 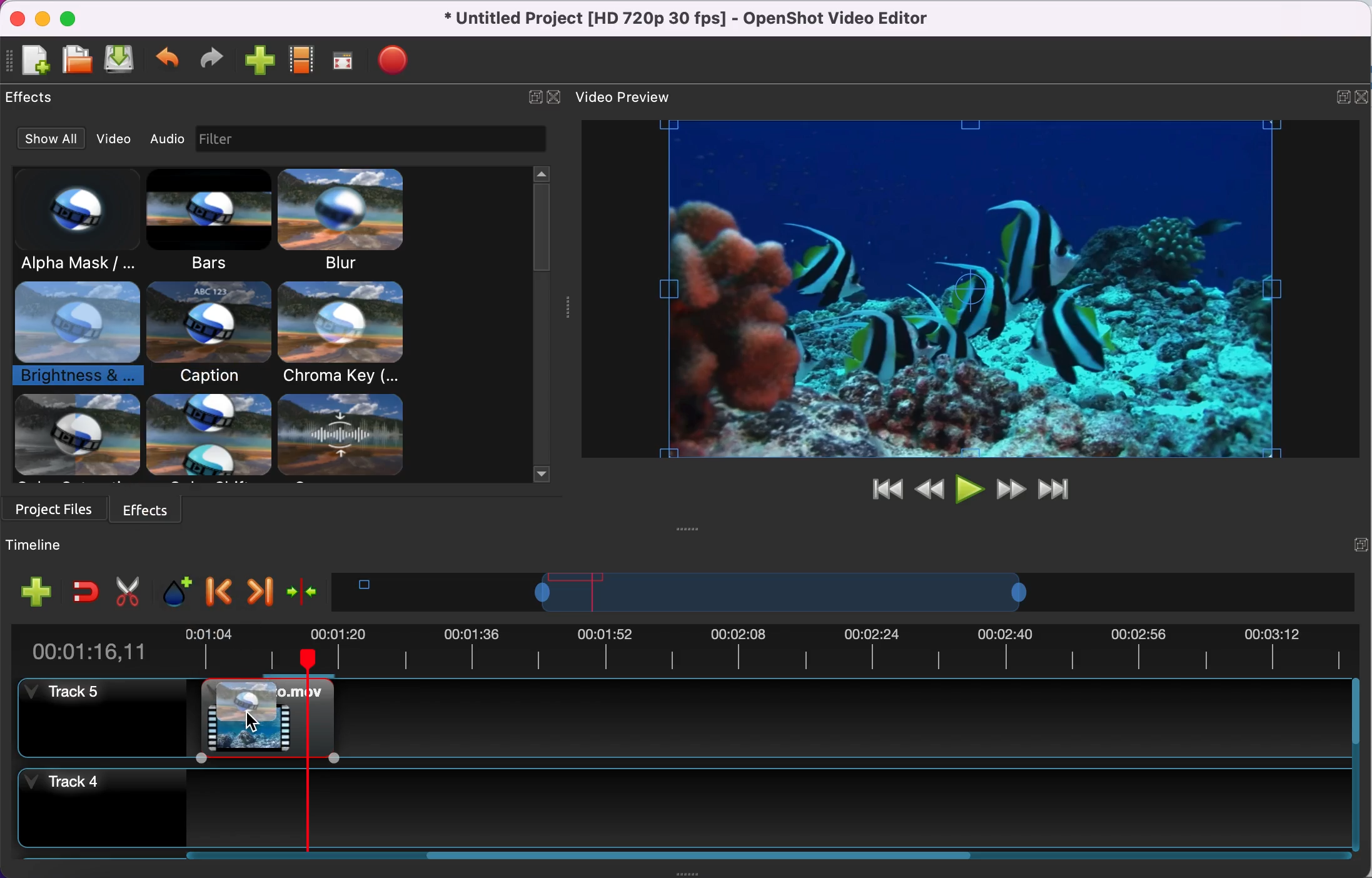 What do you see at coordinates (122, 61) in the screenshot?
I see `save file` at bounding box center [122, 61].